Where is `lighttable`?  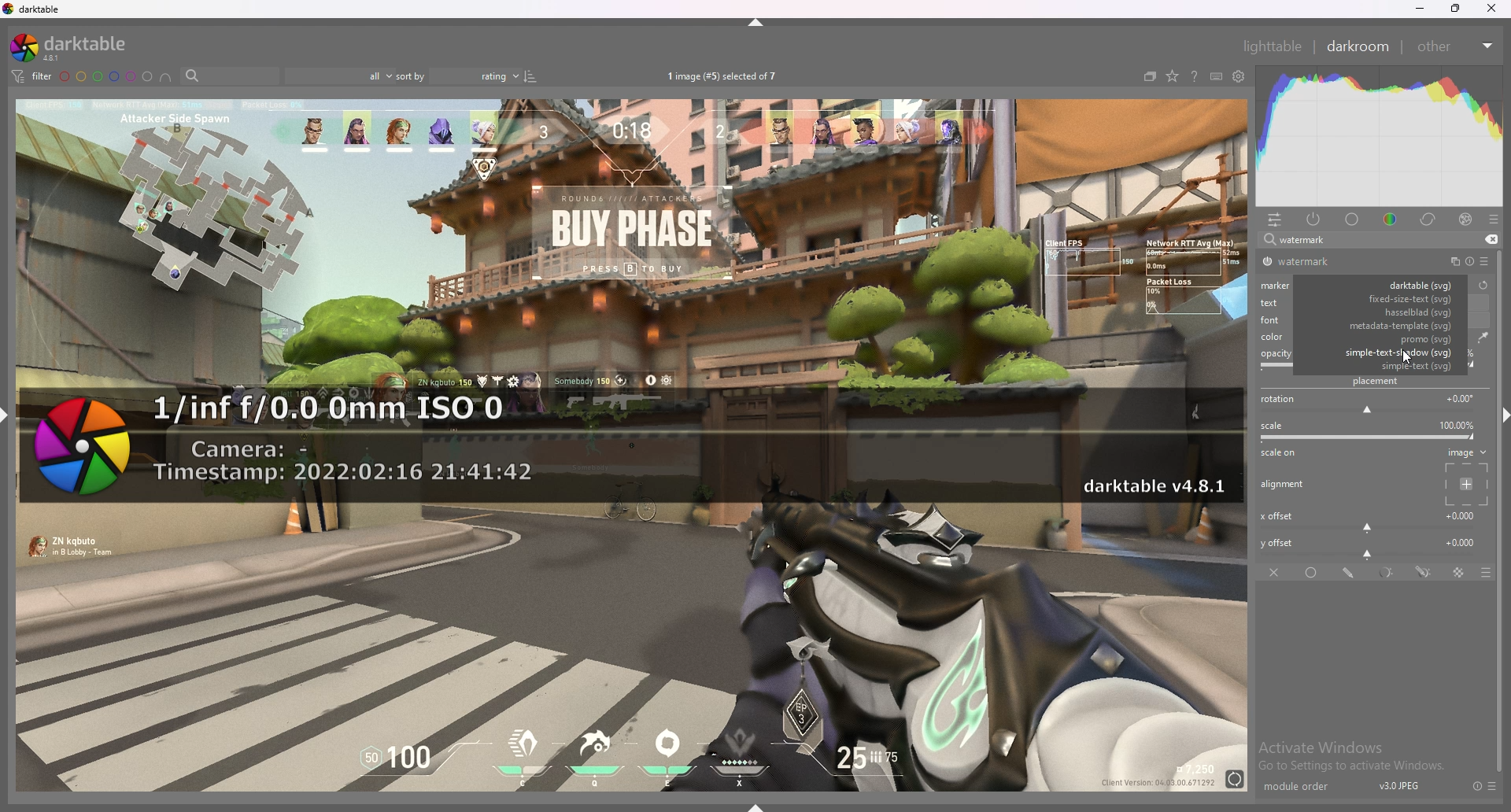
lighttable is located at coordinates (1272, 46).